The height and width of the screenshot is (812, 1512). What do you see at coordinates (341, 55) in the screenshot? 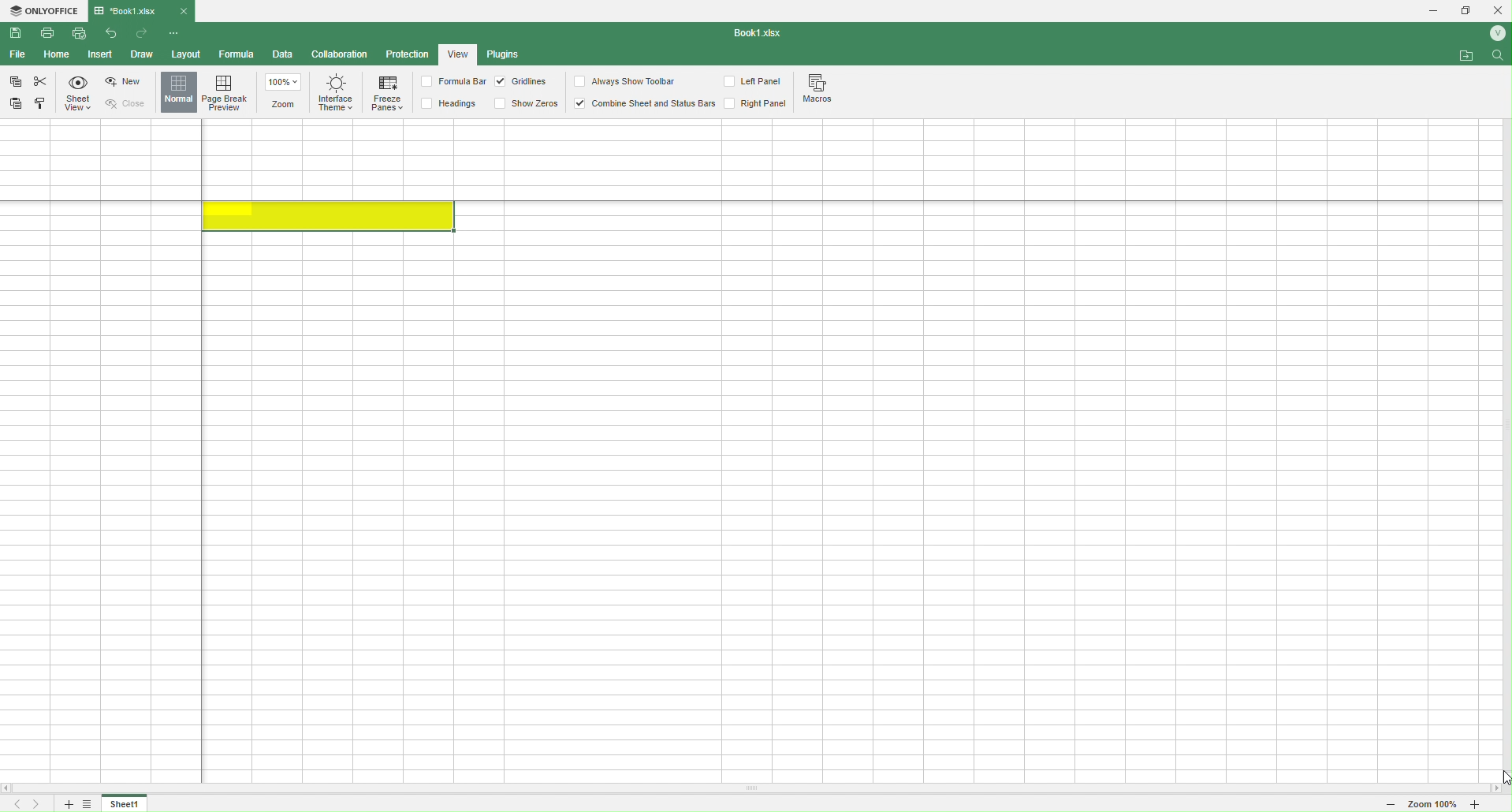
I see `Collaboration` at bounding box center [341, 55].